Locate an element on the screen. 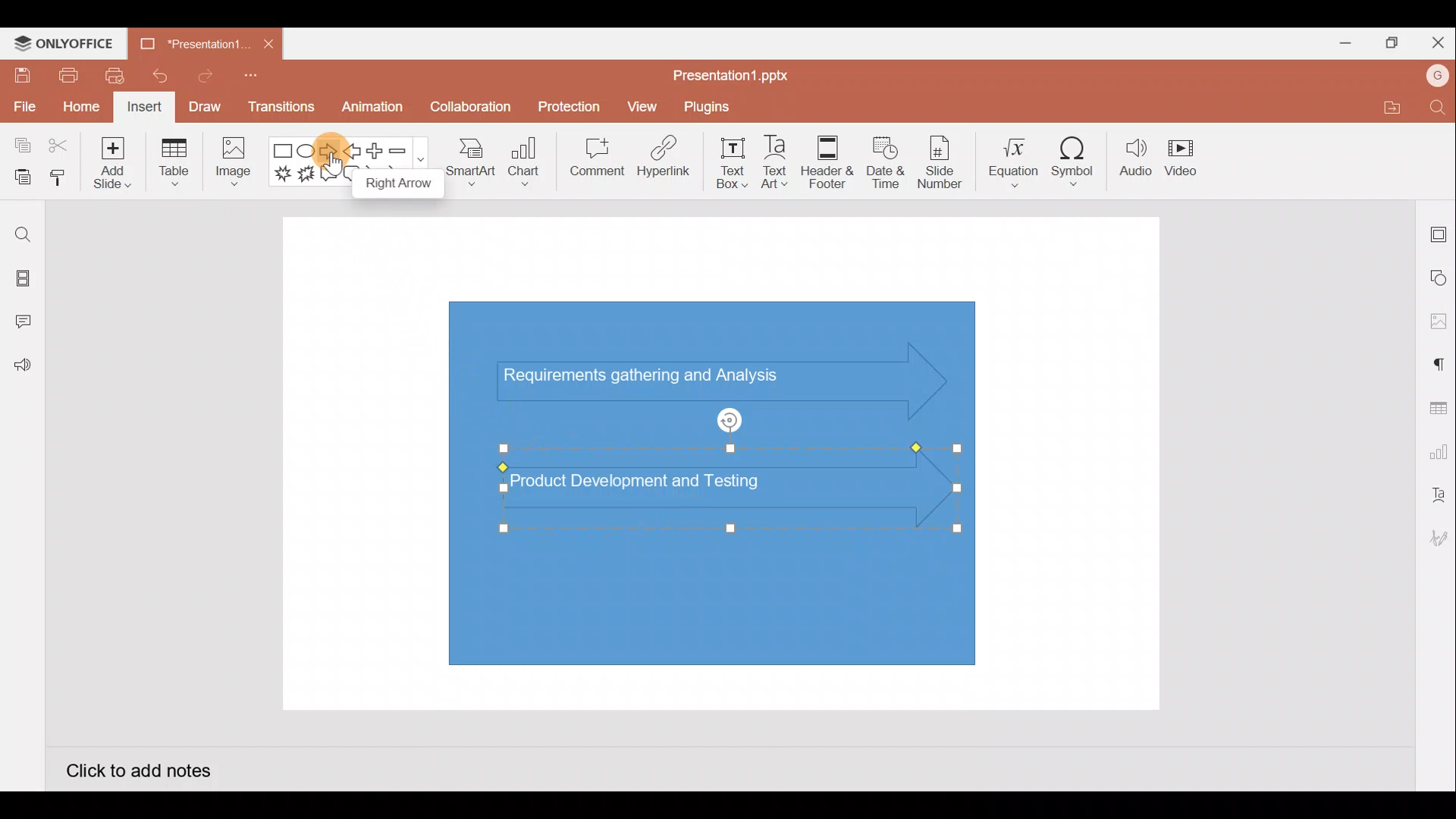 The image size is (1456, 819). Add slide is located at coordinates (110, 159).